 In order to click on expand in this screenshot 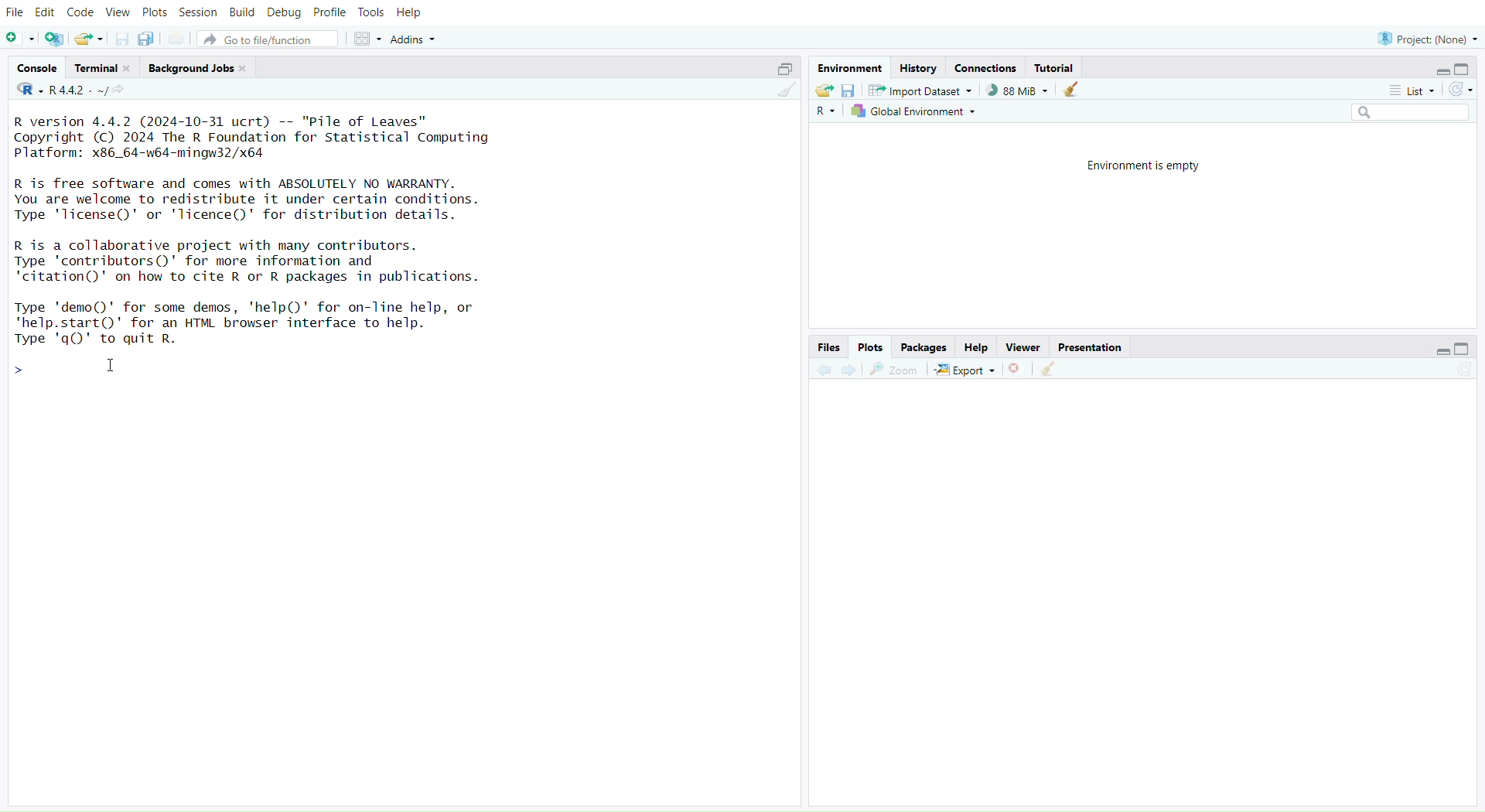, I will do `click(1439, 70)`.